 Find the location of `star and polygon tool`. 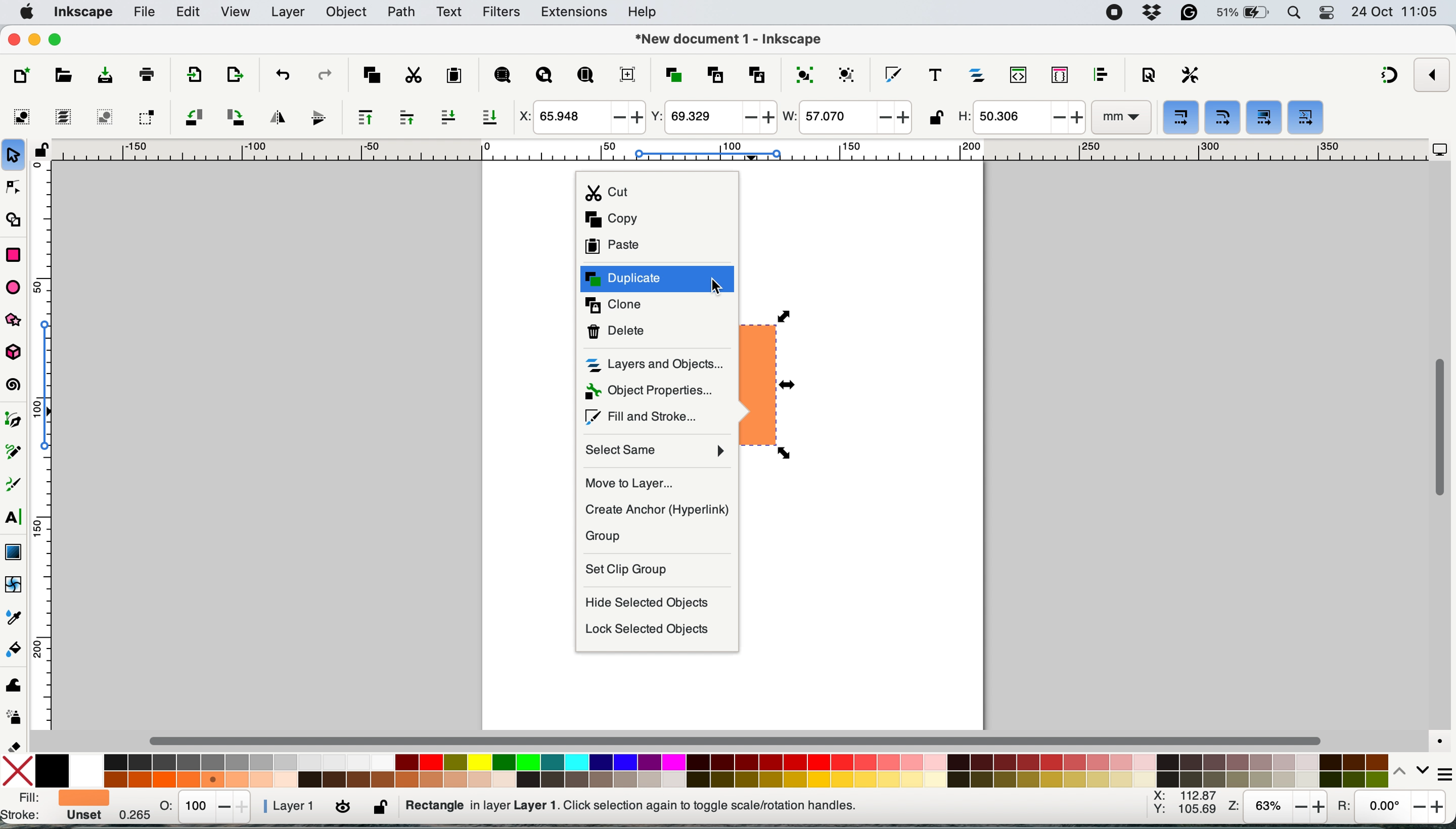

star and polygon tool is located at coordinates (19, 322).